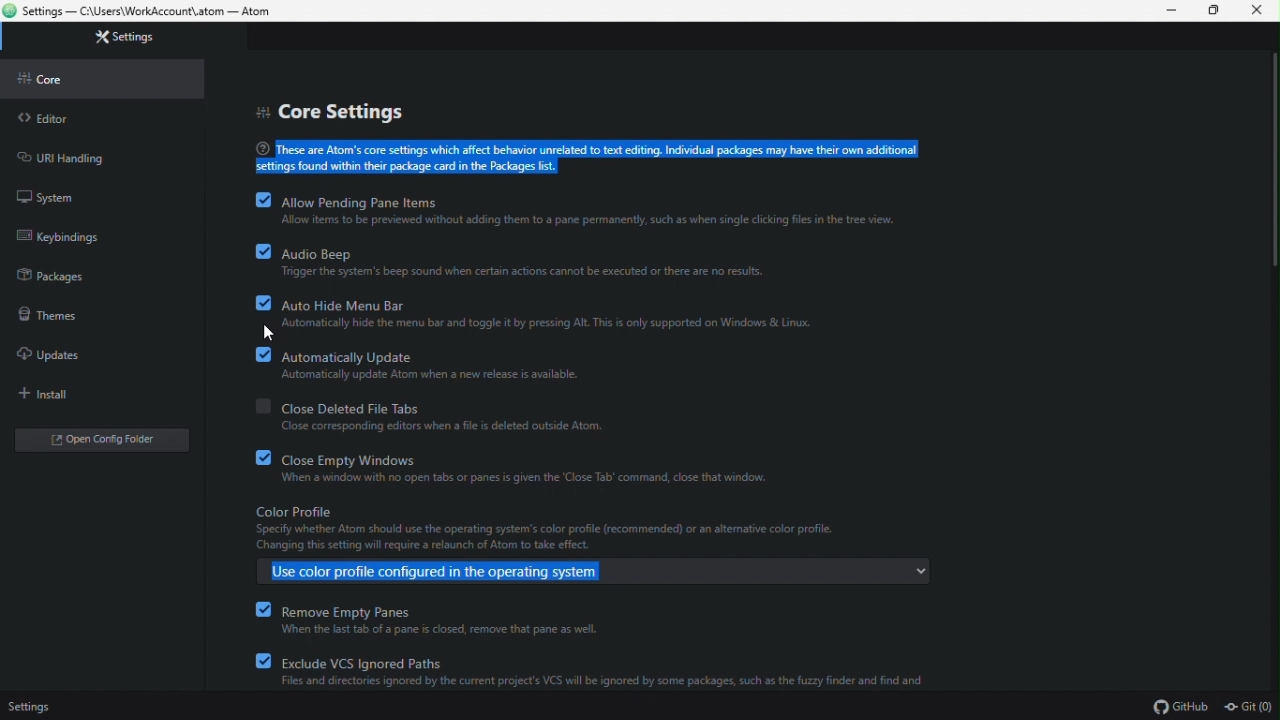 This screenshot has height=720, width=1280. I want to click on checkbox, so click(252, 203).